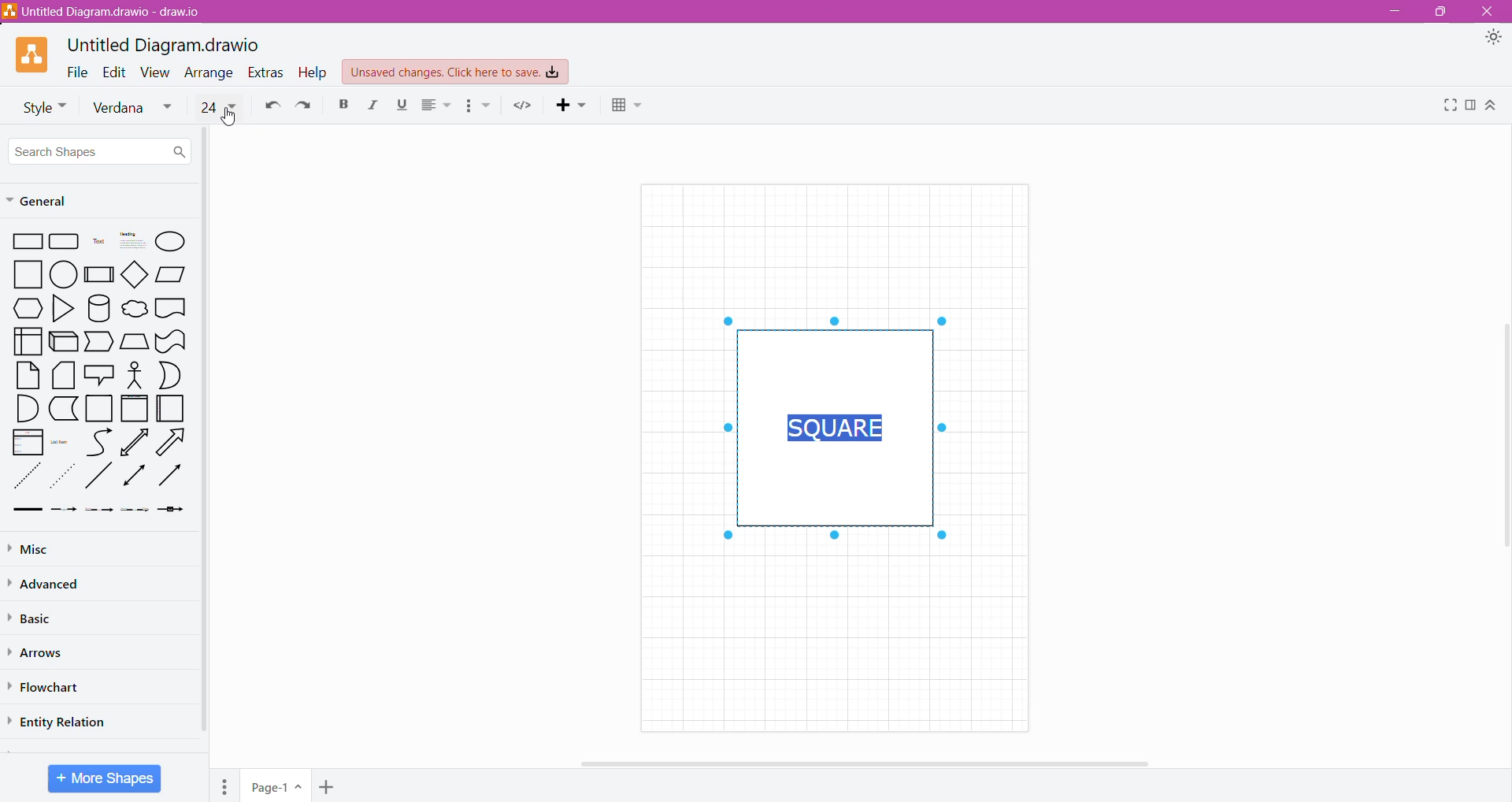 The image size is (1512, 802). Describe the element at coordinates (23, 308) in the screenshot. I see `Preparation` at that location.